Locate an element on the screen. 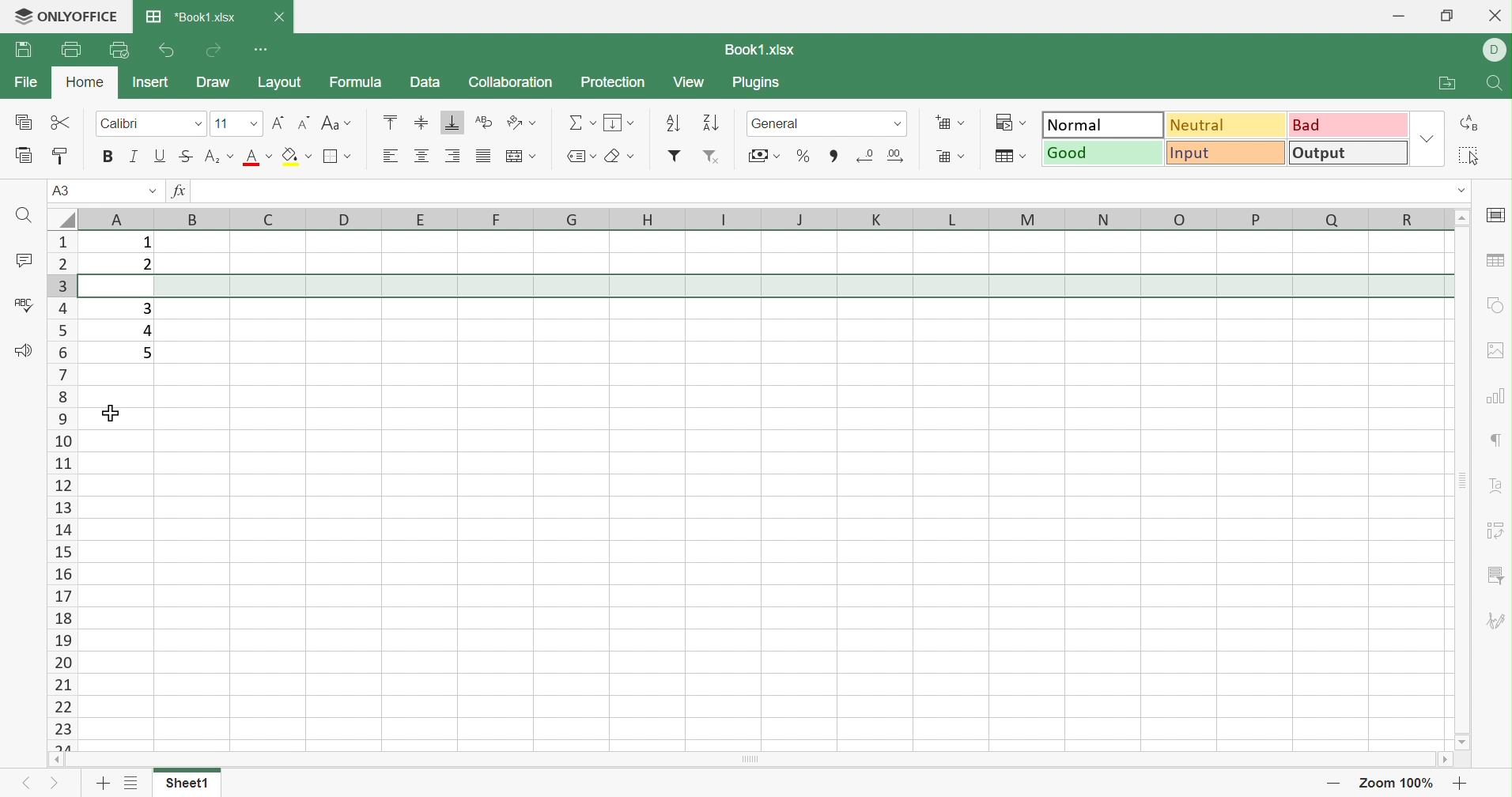 This screenshot has width=1512, height=797. Neutral is located at coordinates (1227, 124).